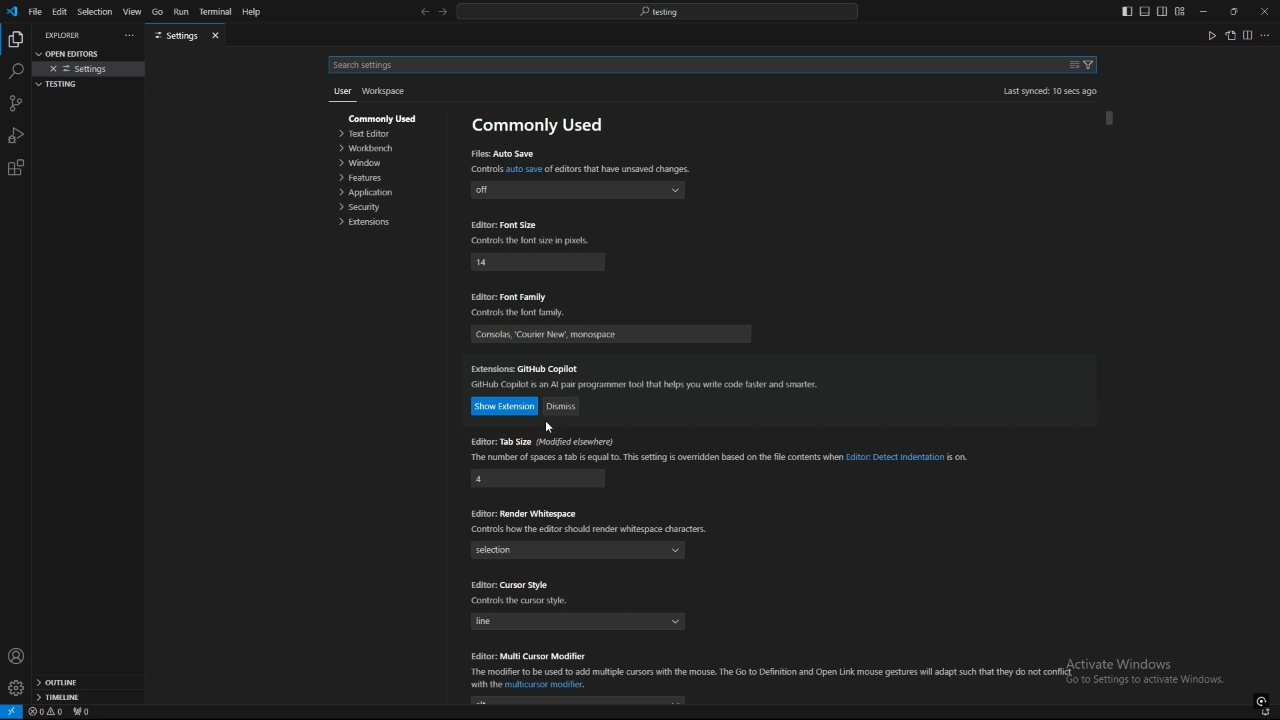 This screenshot has width=1280, height=720. What do you see at coordinates (503, 153) in the screenshot?
I see `files auto save` at bounding box center [503, 153].